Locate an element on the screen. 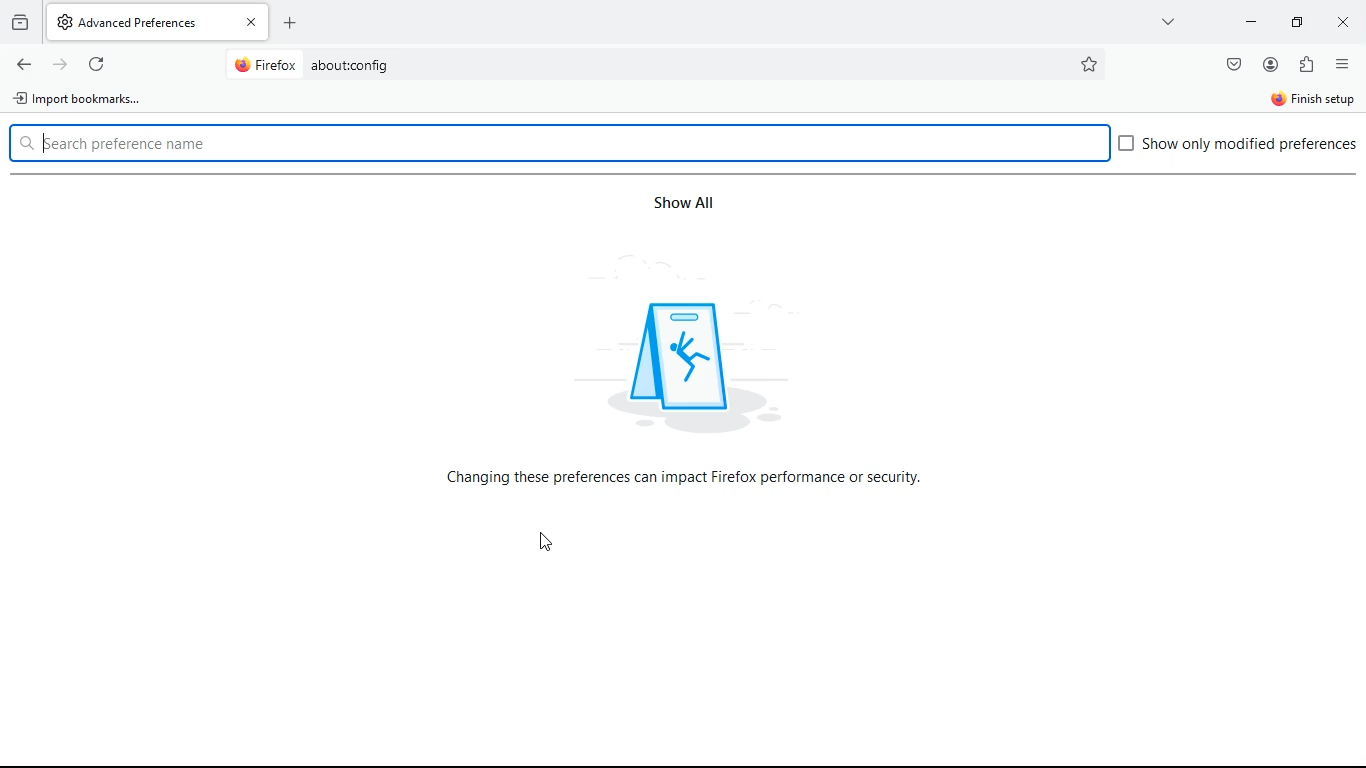 This screenshot has height=768, width=1366. text is located at coordinates (684, 480).